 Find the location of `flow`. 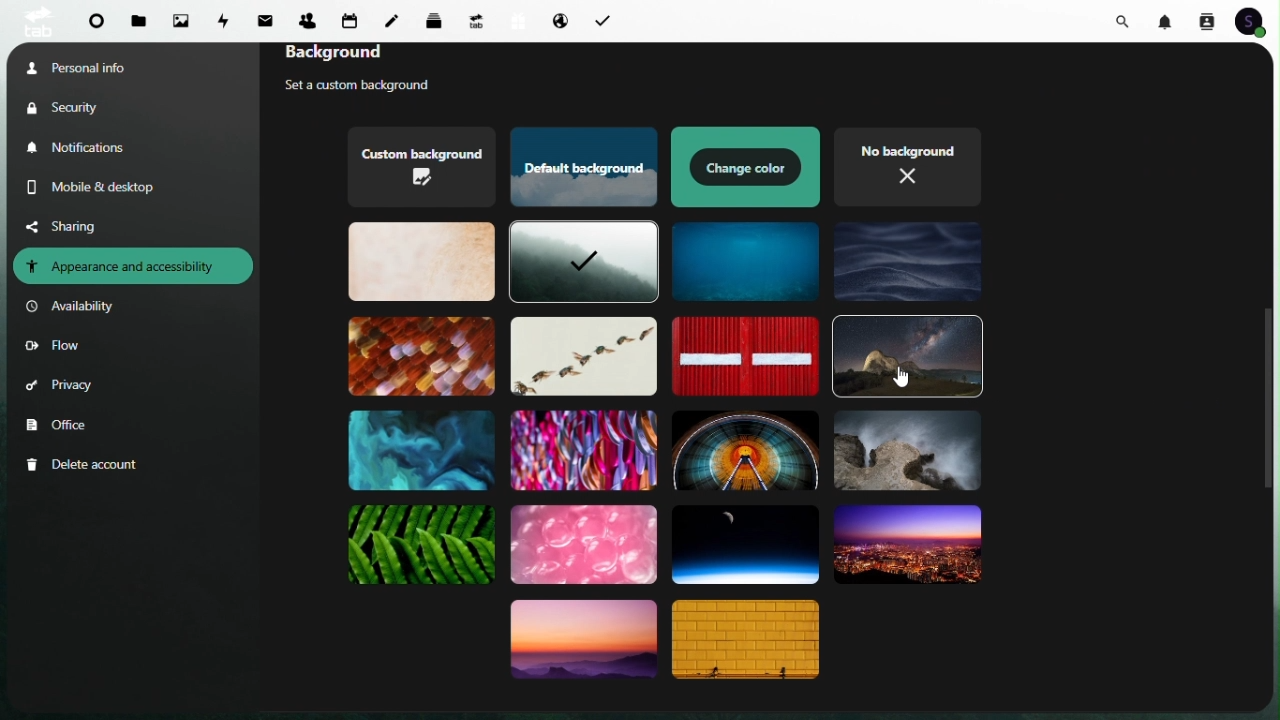

flow is located at coordinates (53, 348).